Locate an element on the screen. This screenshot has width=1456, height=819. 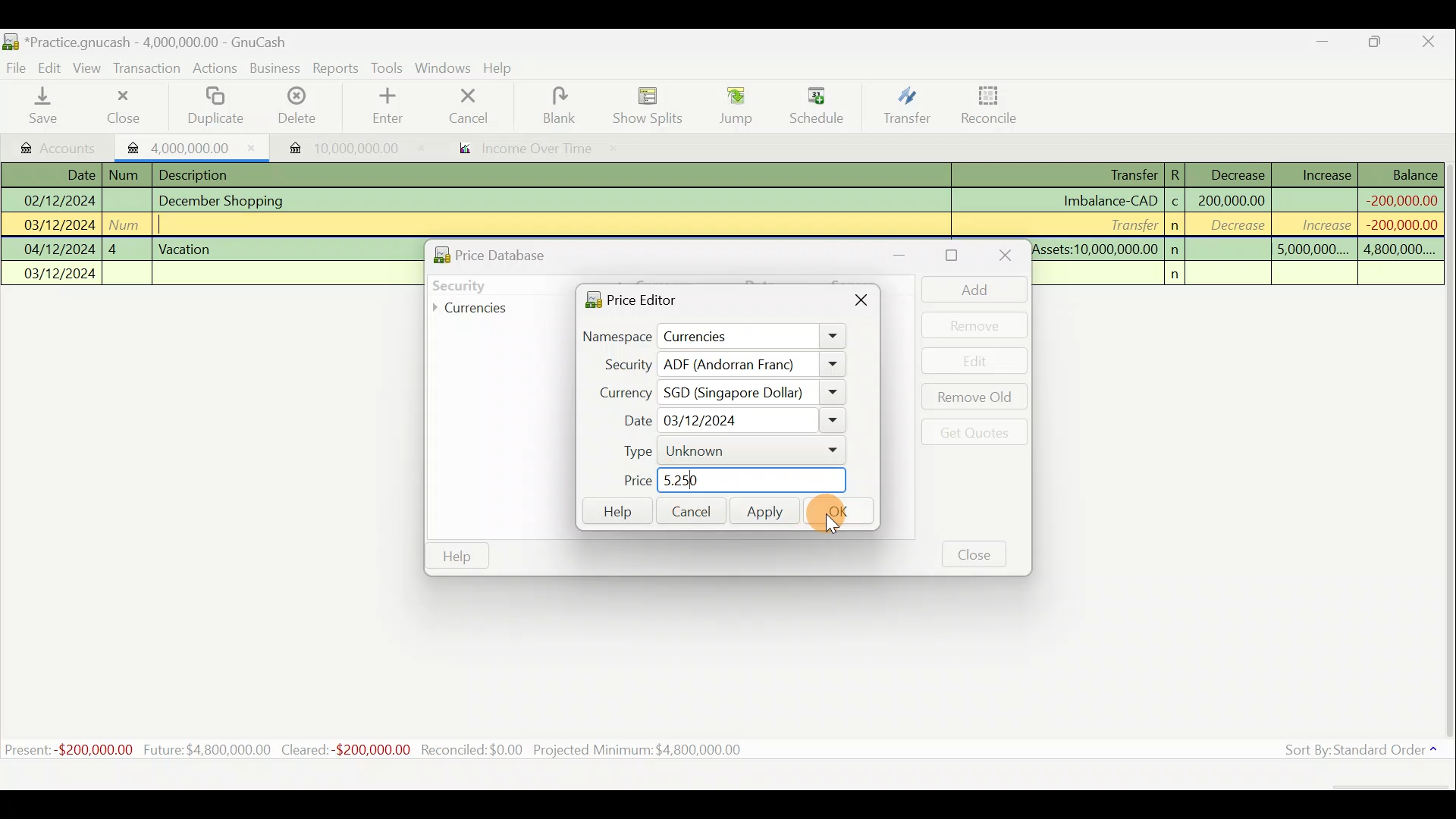
View is located at coordinates (92, 67).